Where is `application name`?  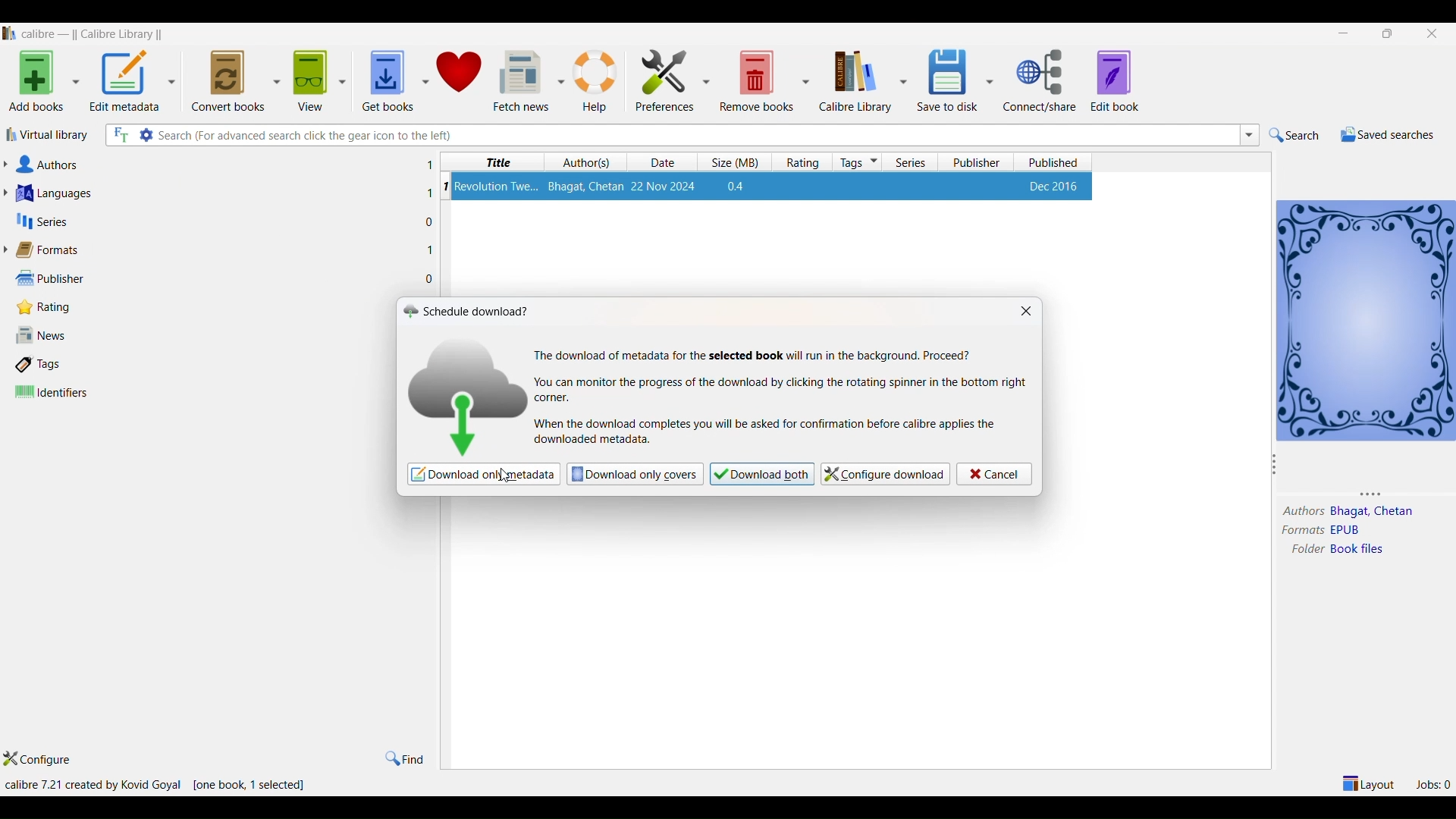 application name is located at coordinates (93, 32).